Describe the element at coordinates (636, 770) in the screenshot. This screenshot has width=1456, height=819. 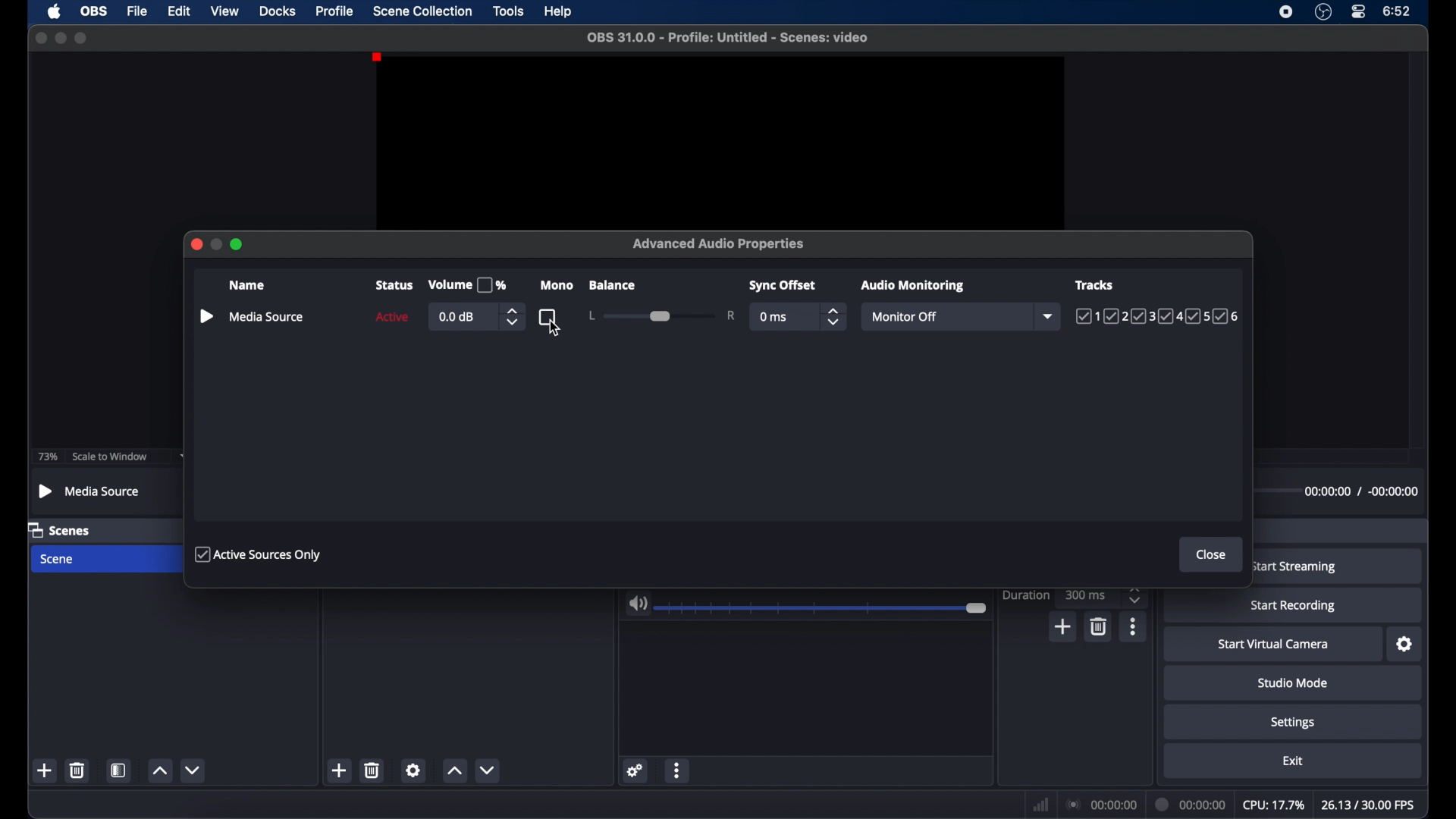
I see `settings` at that location.